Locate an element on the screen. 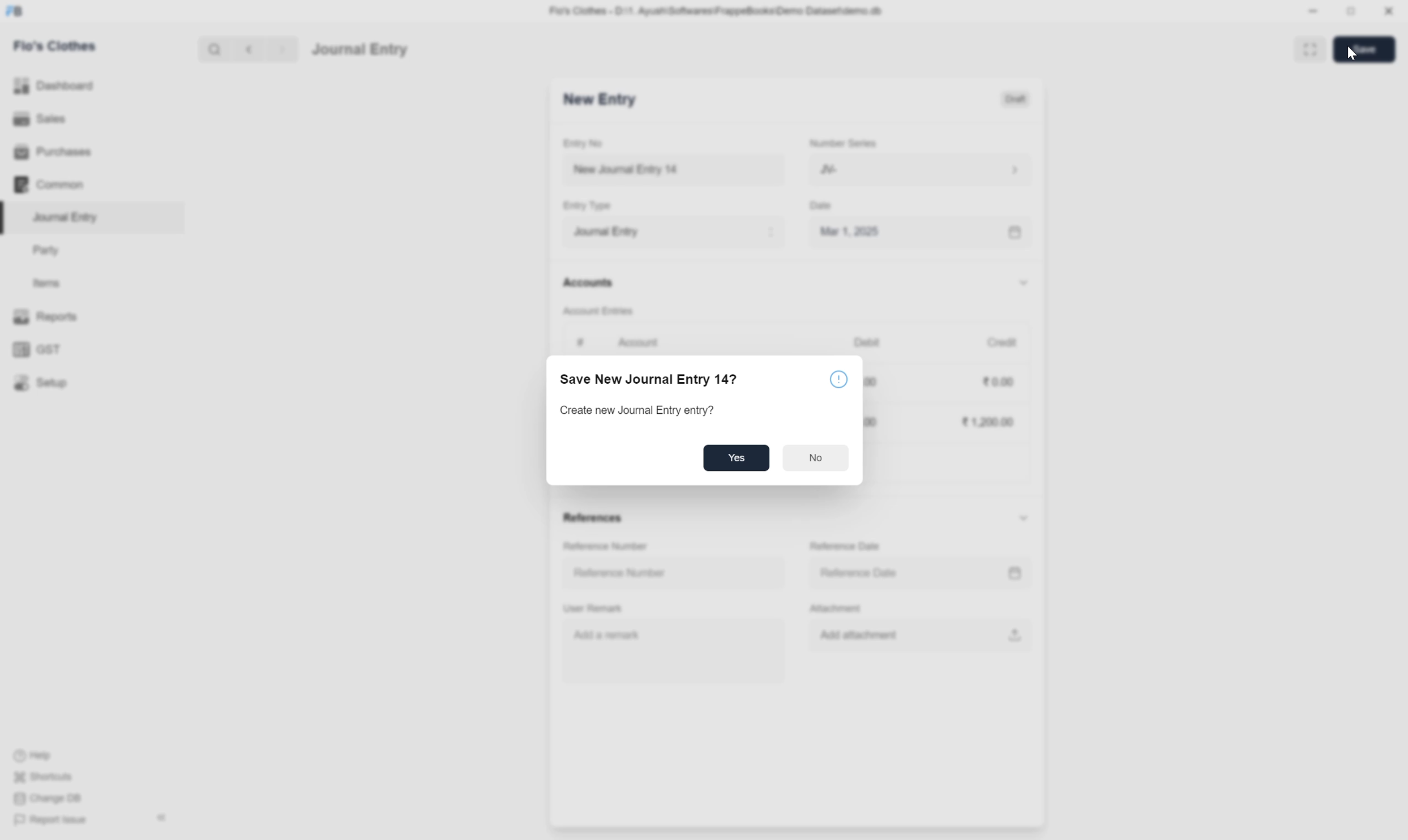 This screenshot has width=1408, height=840. upload is located at coordinates (1012, 635).